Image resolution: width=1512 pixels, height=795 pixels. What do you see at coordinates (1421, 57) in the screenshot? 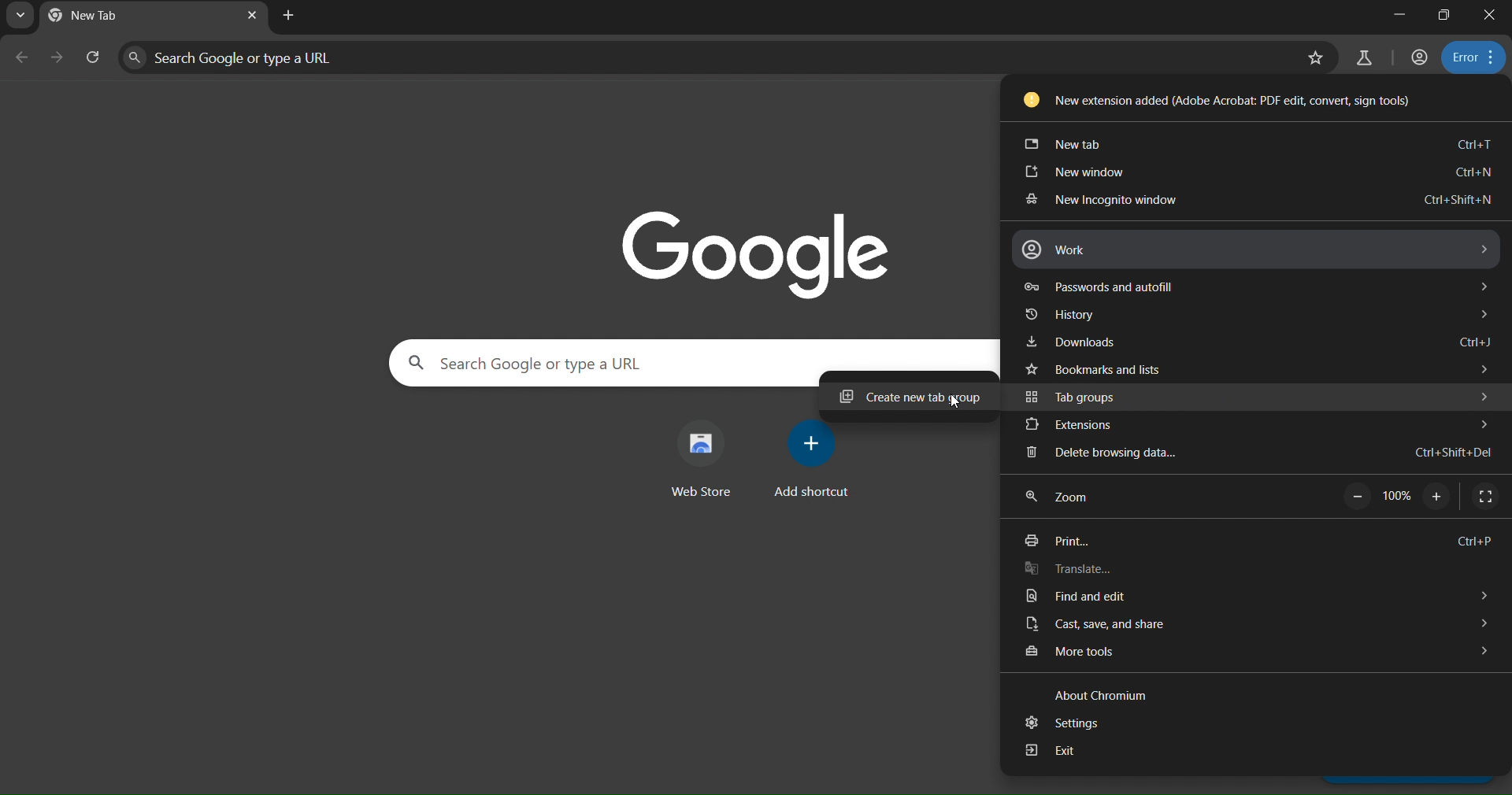
I see `accounts` at bounding box center [1421, 57].